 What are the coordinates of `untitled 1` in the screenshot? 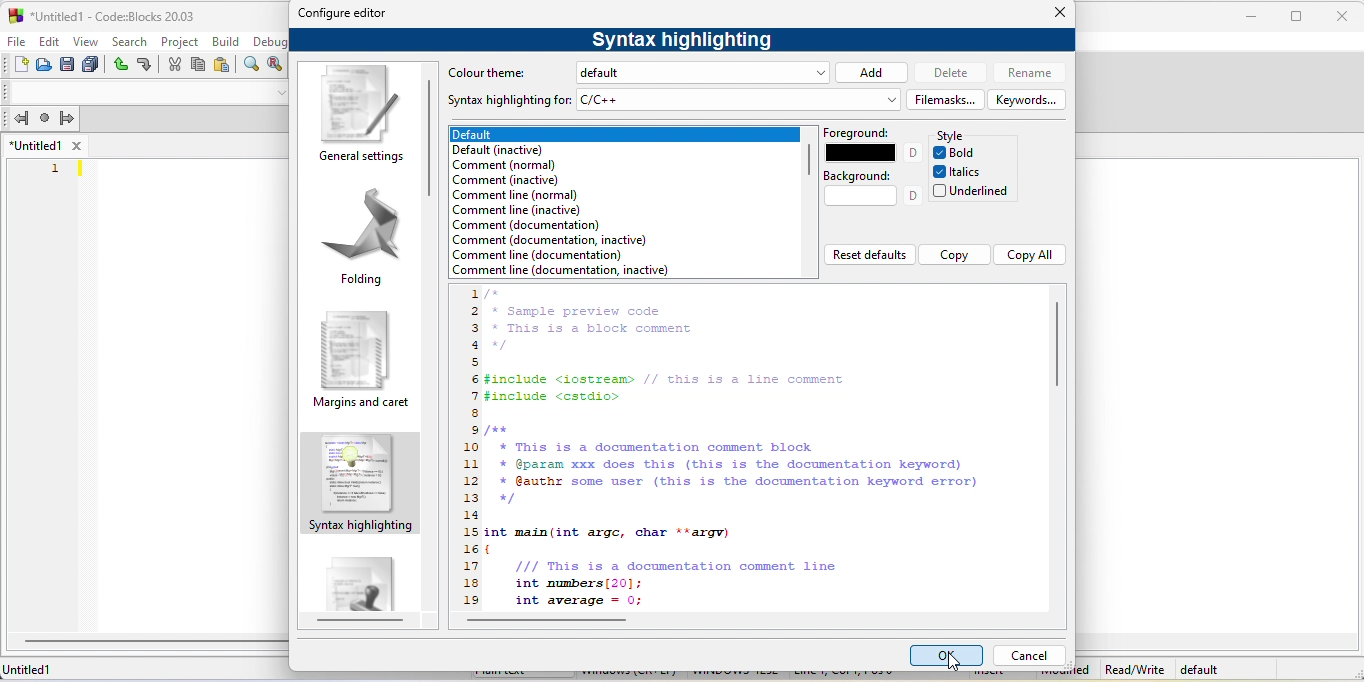 It's located at (28, 670).